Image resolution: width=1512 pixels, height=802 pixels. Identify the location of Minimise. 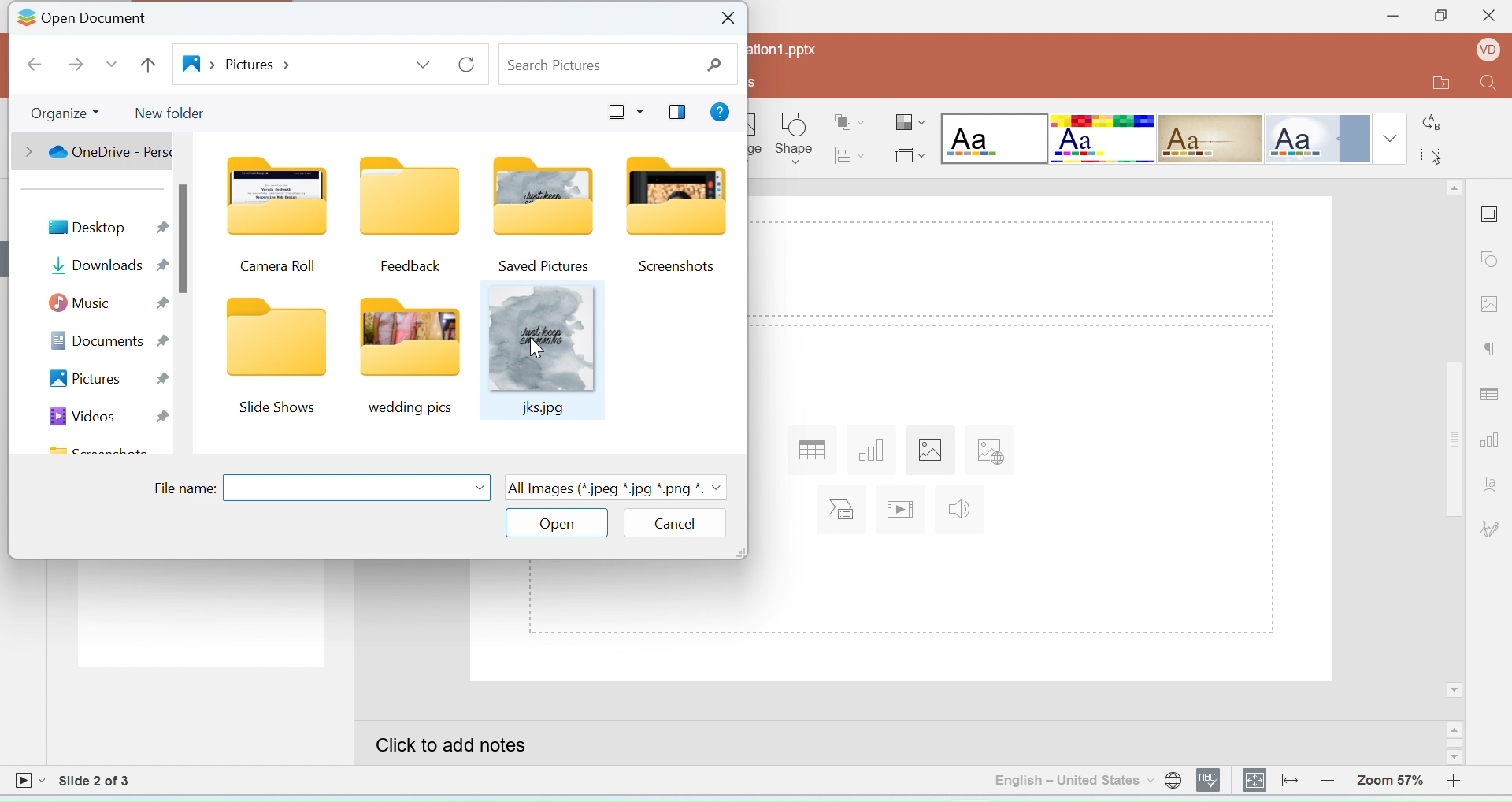
(1387, 17).